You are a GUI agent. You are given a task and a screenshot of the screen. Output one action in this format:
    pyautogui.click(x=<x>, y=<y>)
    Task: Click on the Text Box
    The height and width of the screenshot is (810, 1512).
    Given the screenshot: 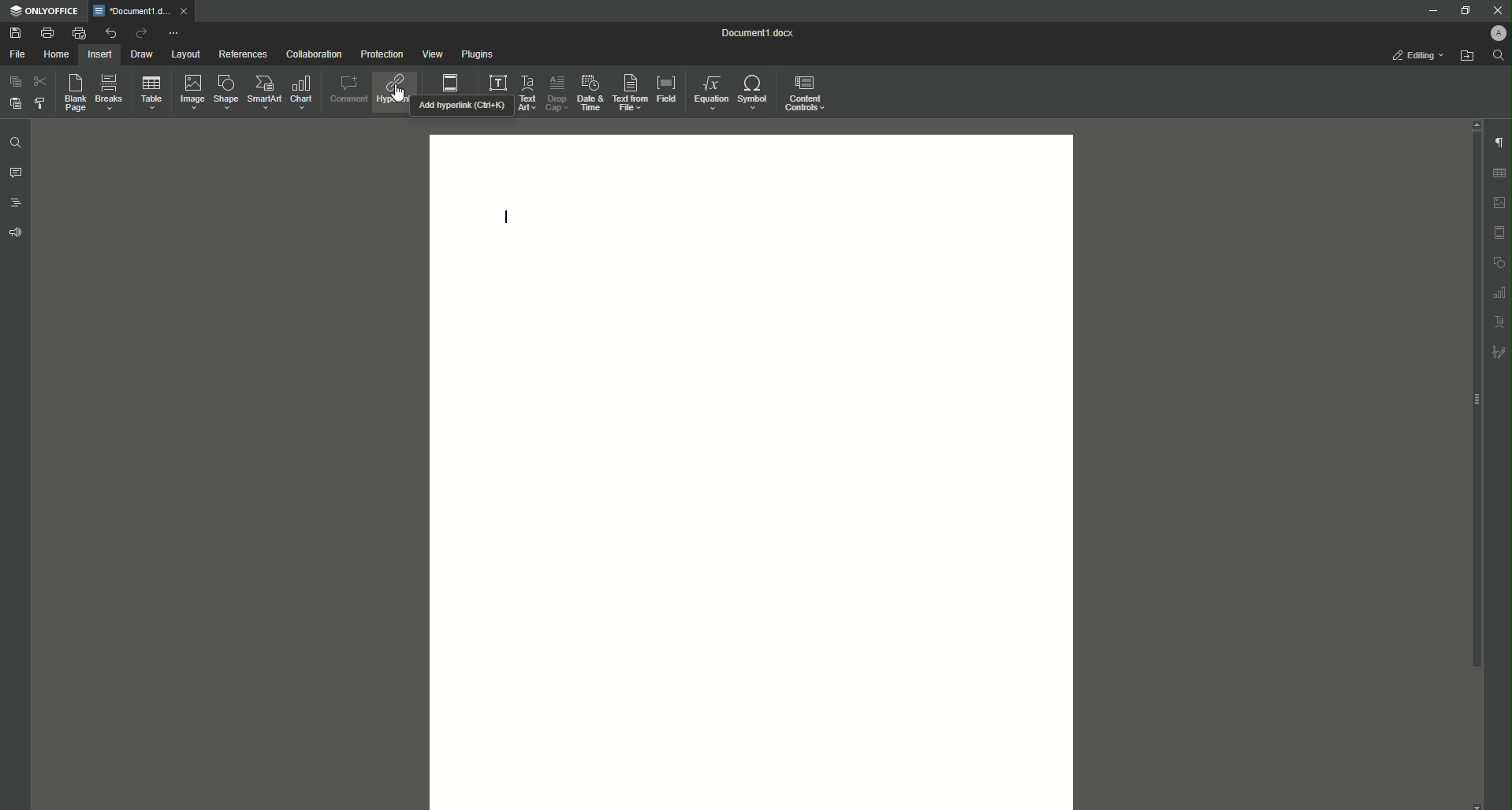 What is the action you would take?
    pyautogui.click(x=498, y=84)
    